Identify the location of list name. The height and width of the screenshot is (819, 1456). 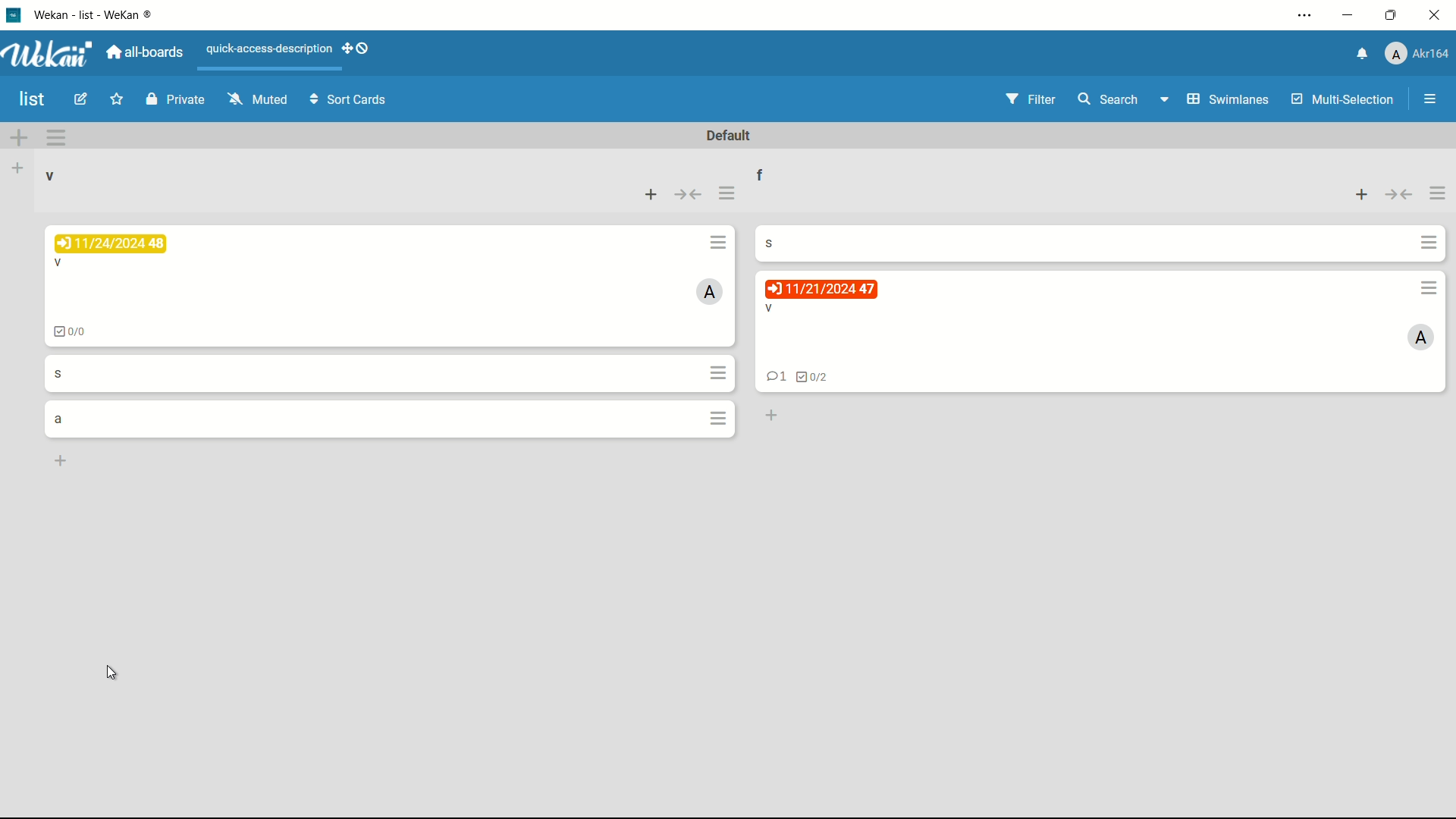
(51, 177).